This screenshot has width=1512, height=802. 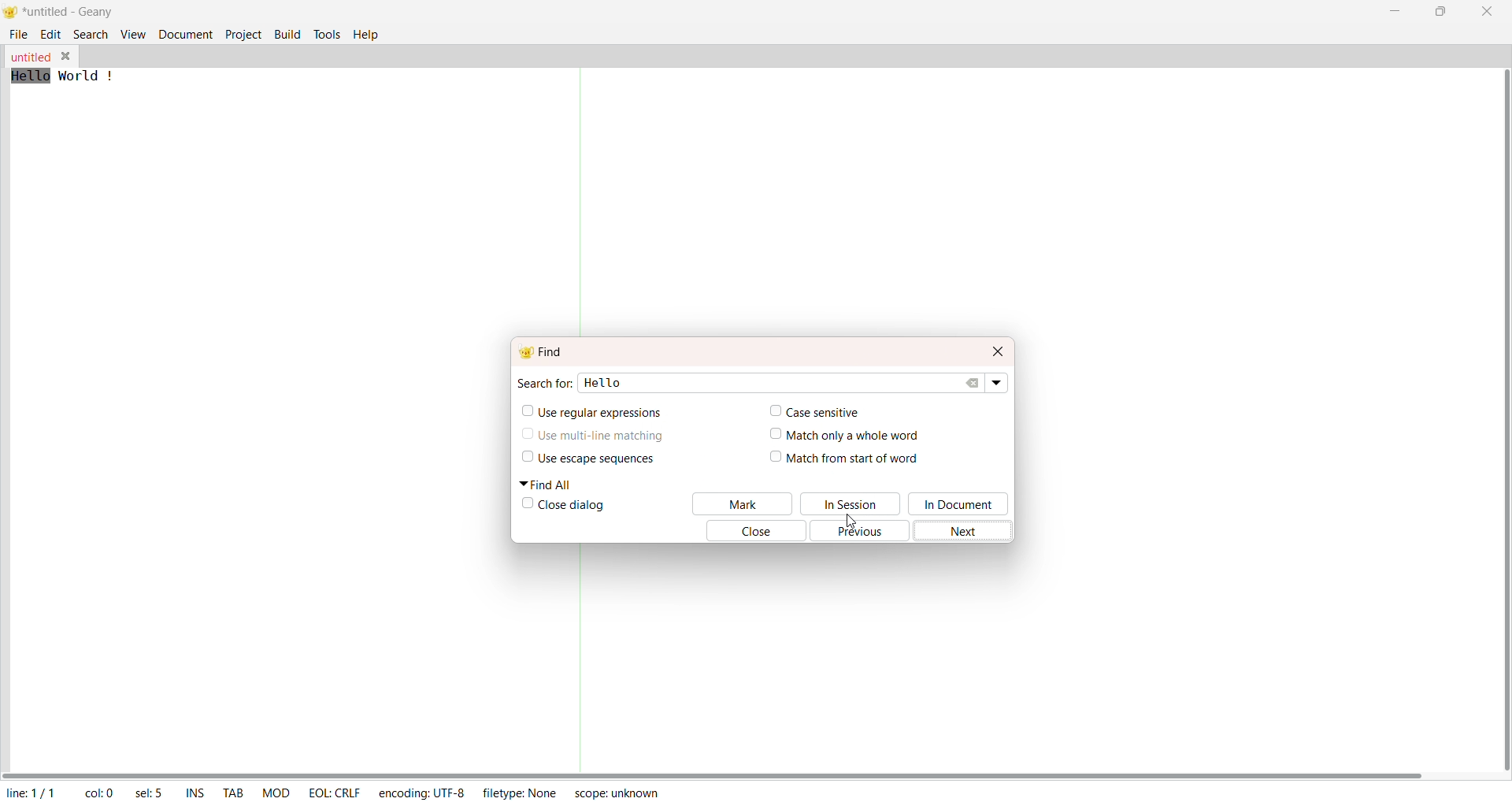 I want to click on Use Scape Sequences, so click(x=610, y=460).